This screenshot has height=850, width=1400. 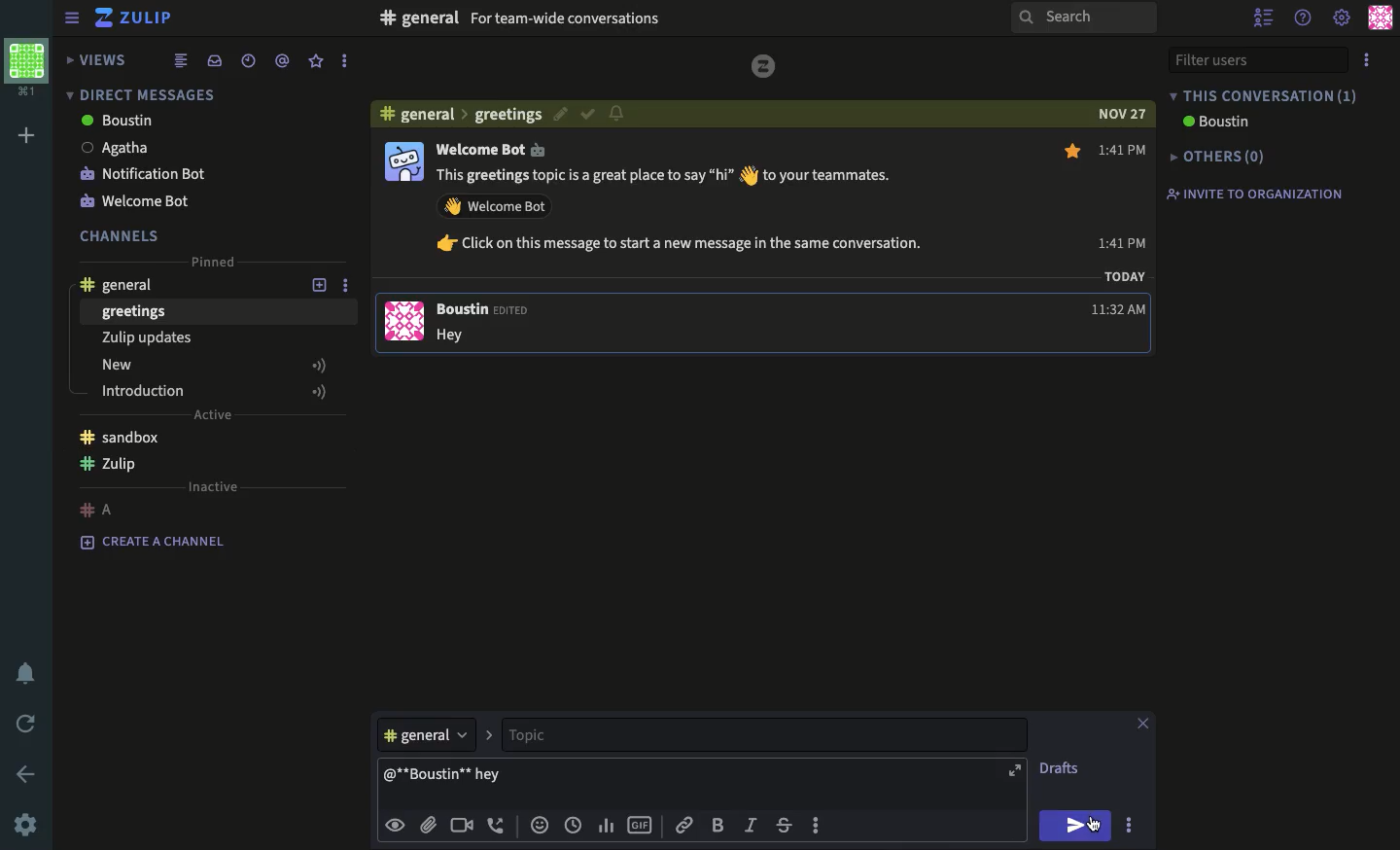 I want to click on settings, so click(x=1343, y=19).